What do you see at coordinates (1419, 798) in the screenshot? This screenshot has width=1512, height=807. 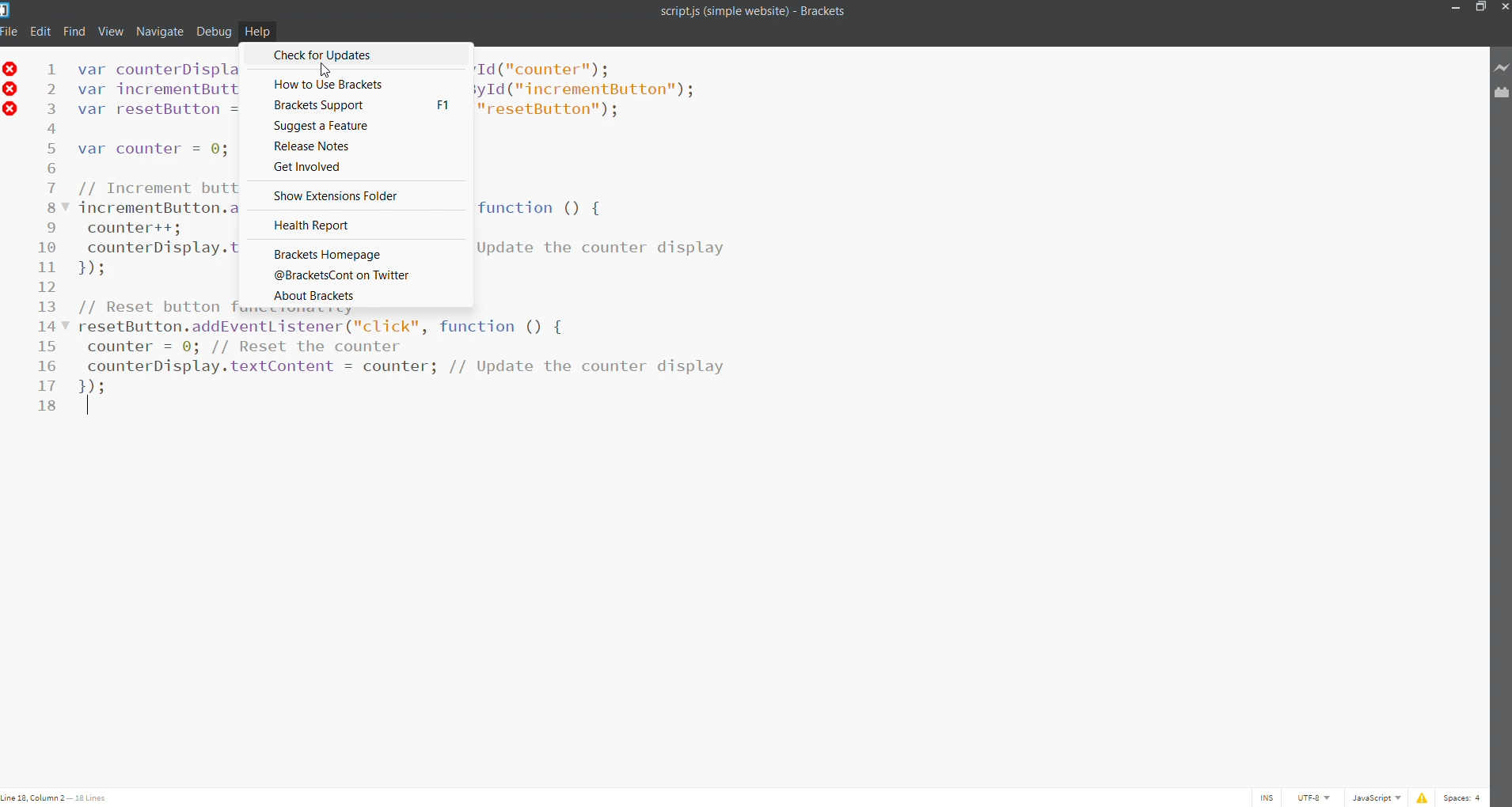 I see `error display` at bounding box center [1419, 798].